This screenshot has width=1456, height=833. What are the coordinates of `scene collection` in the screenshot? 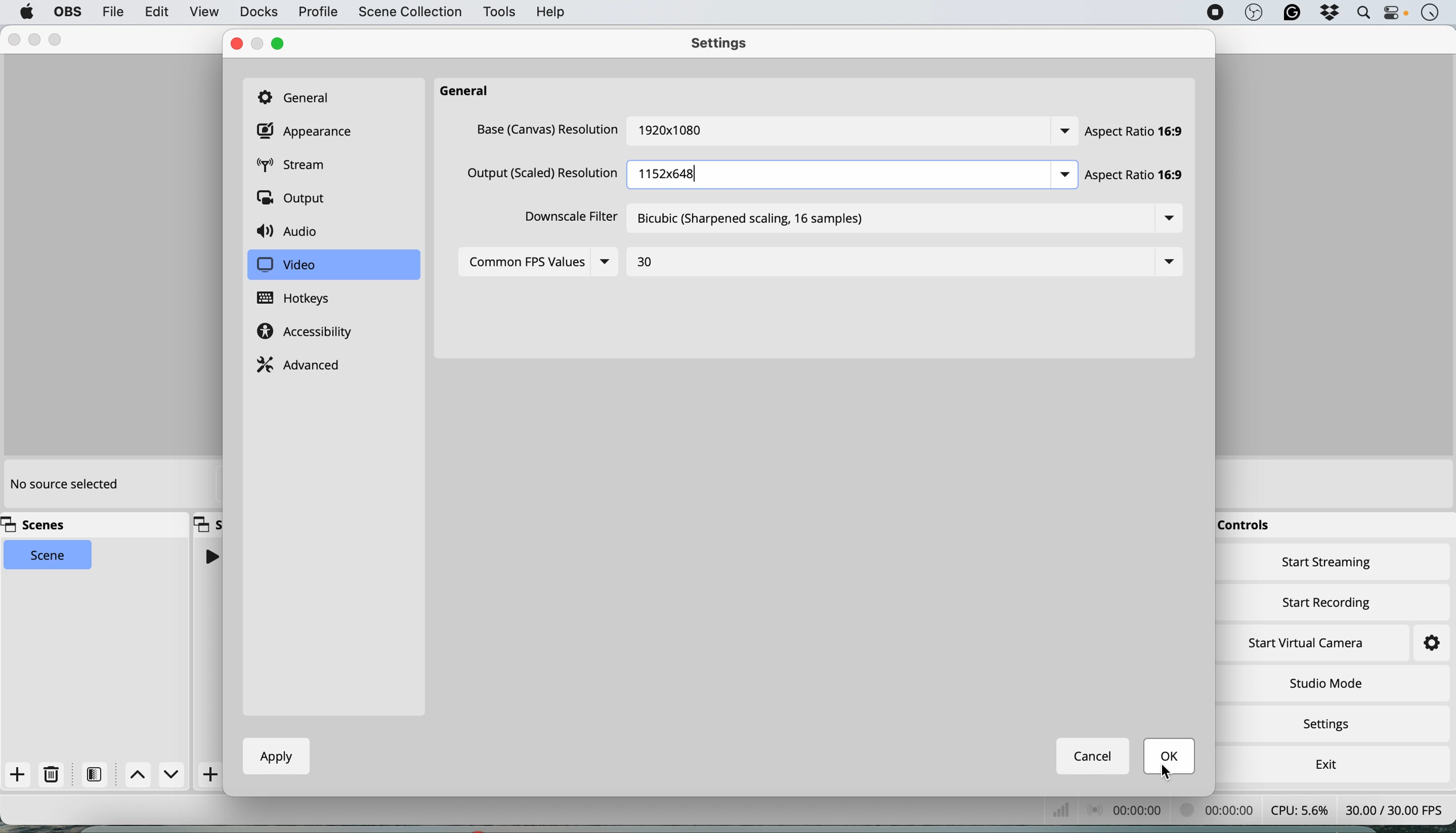 It's located at (409, 13).